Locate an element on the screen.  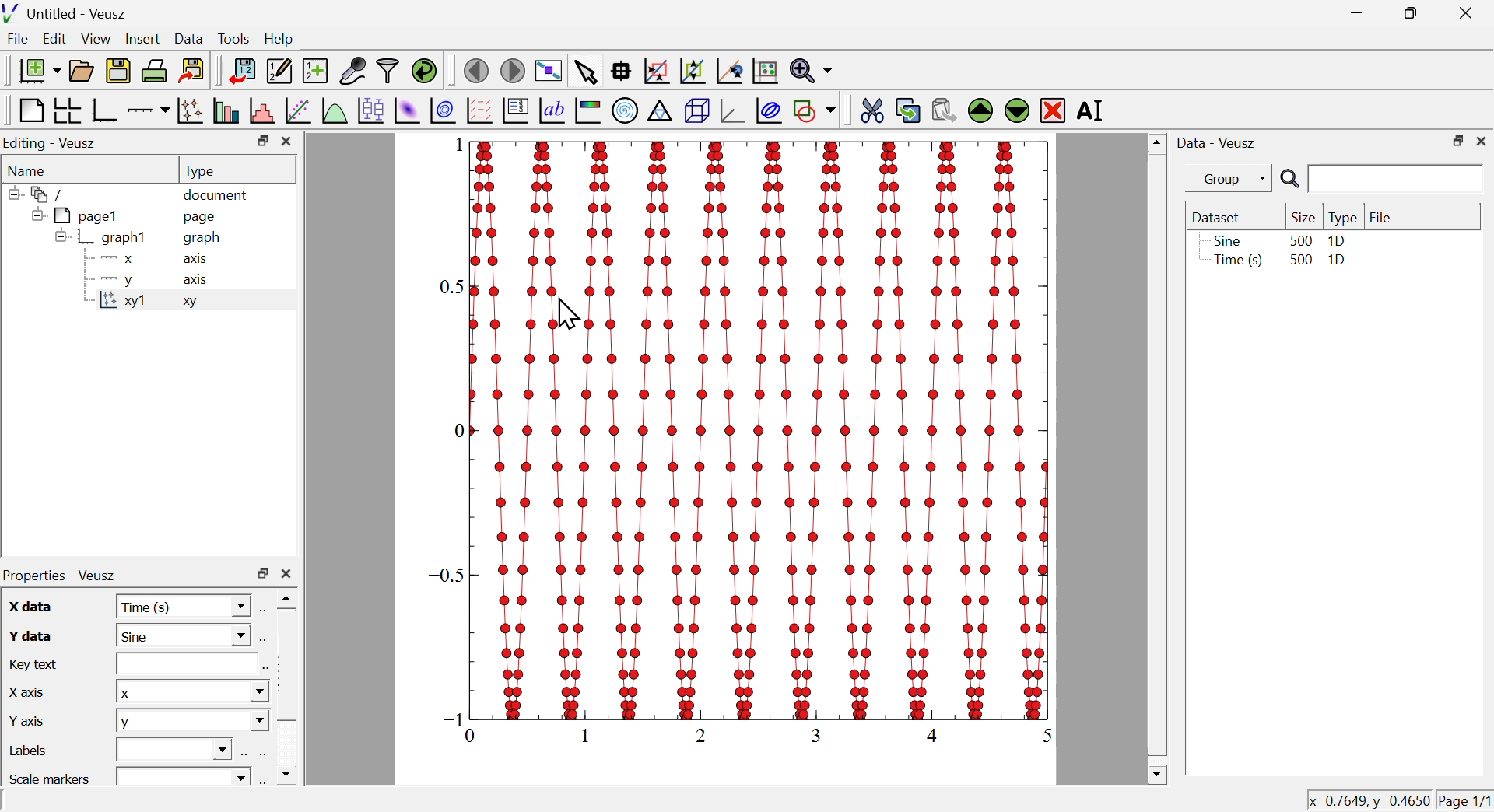
new document is located at coordinates (35, 70).